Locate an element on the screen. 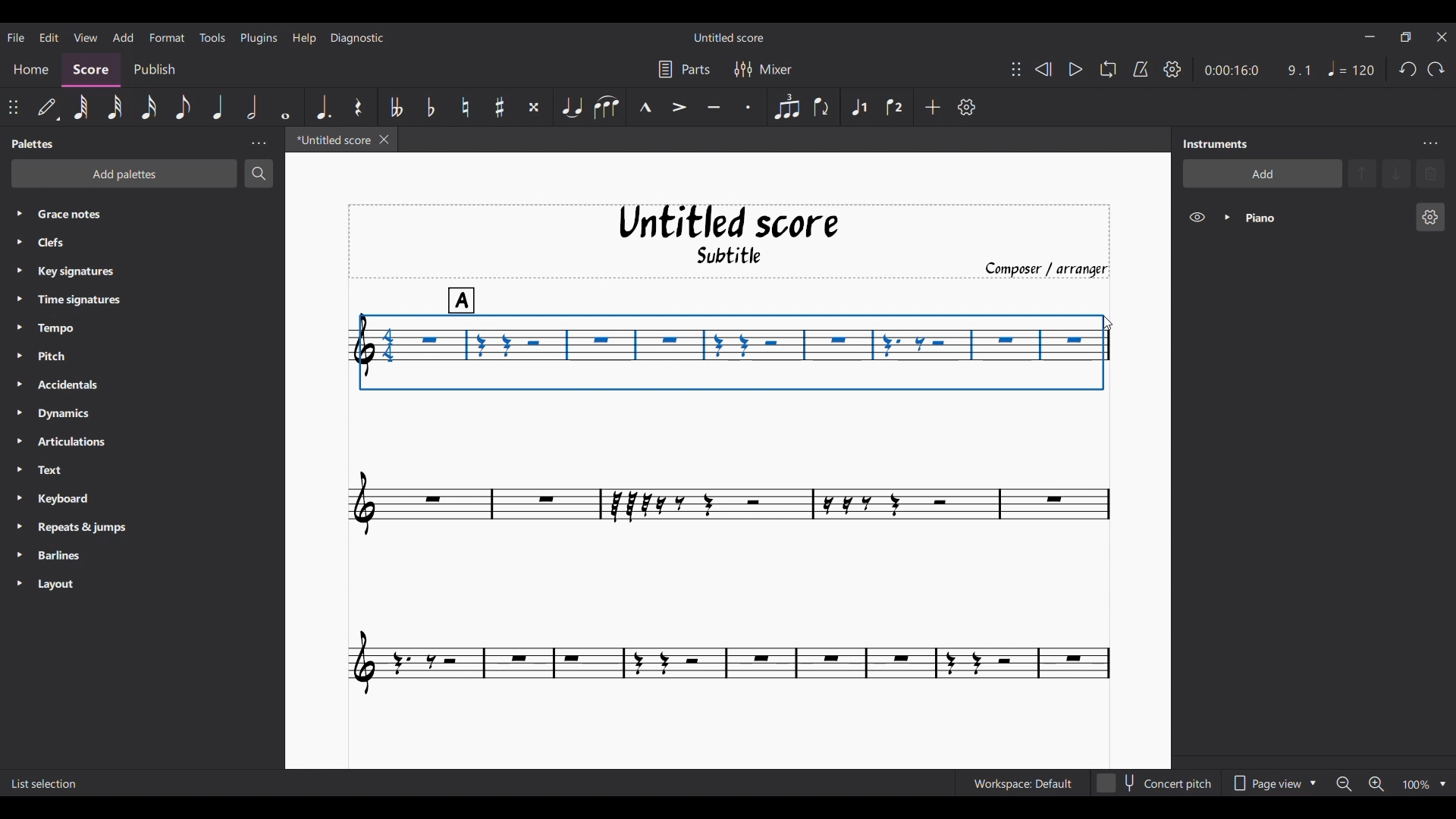 This screenshot has height=819, width=1456. Minimize is located at coordinates (1369, 36).